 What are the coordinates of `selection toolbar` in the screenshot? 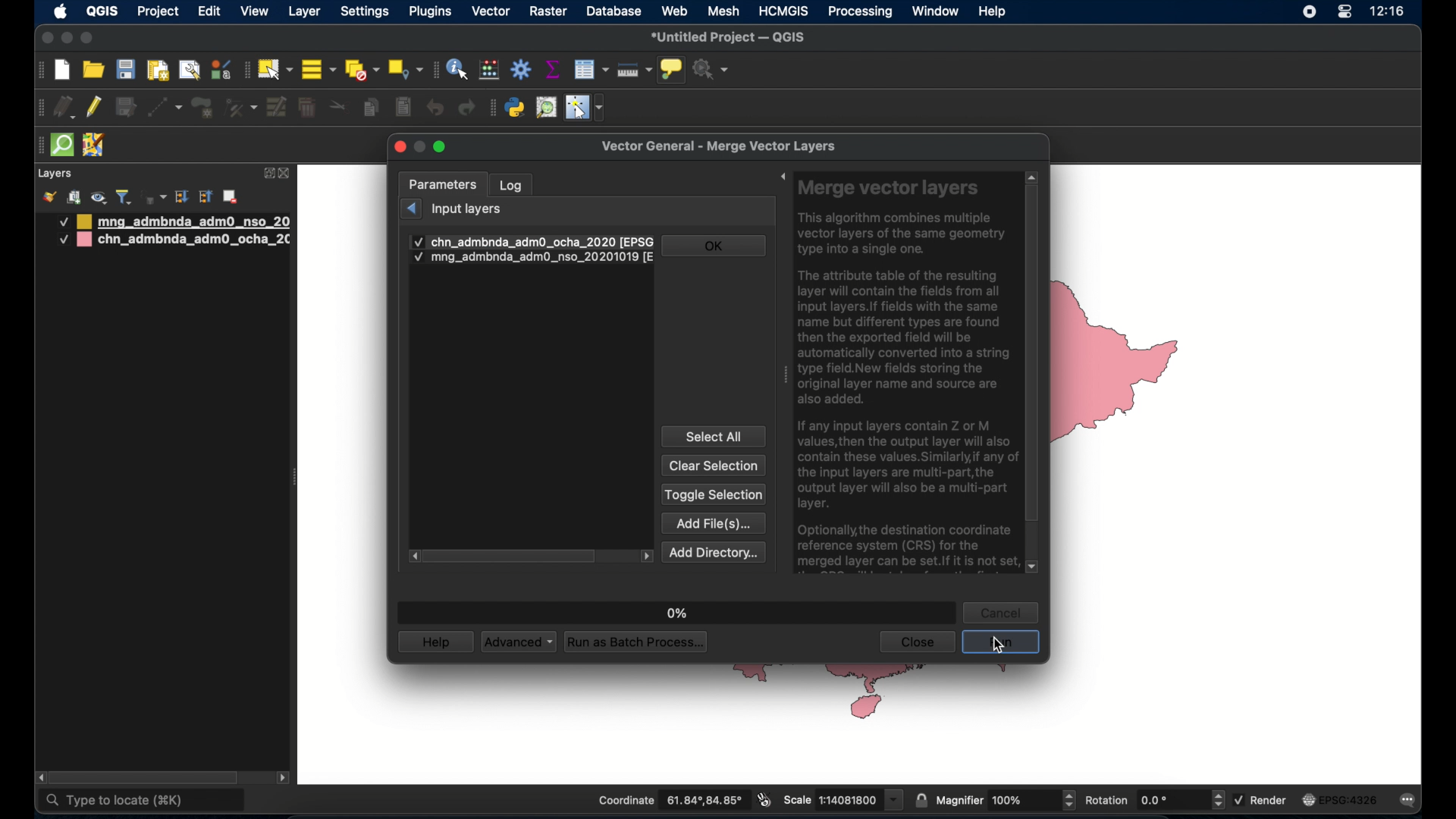 It's located at (245, 70).